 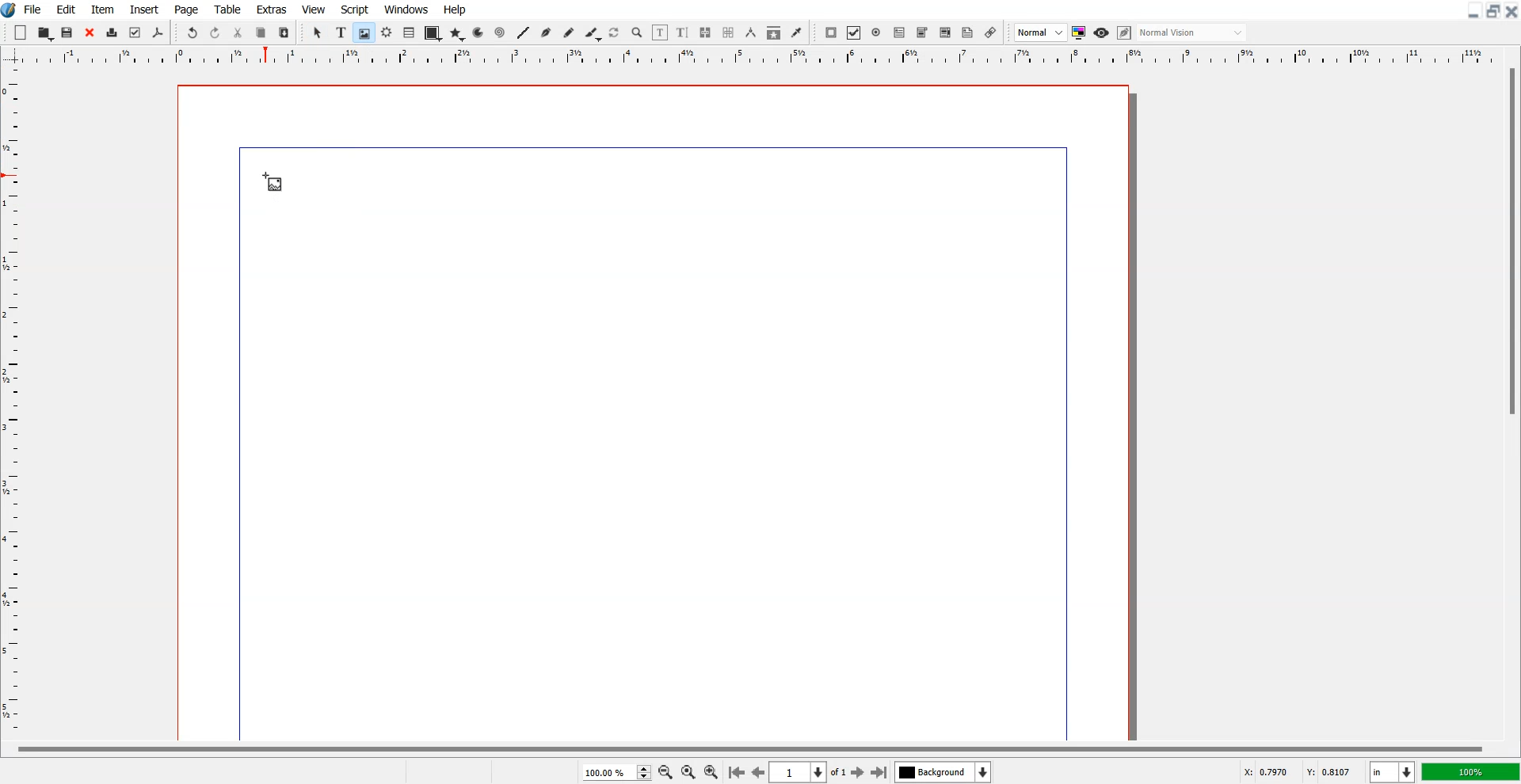 What do you see at coordinates (432, 34) in the screenshot?
I see `Shape` at bounding box center [432, 34].